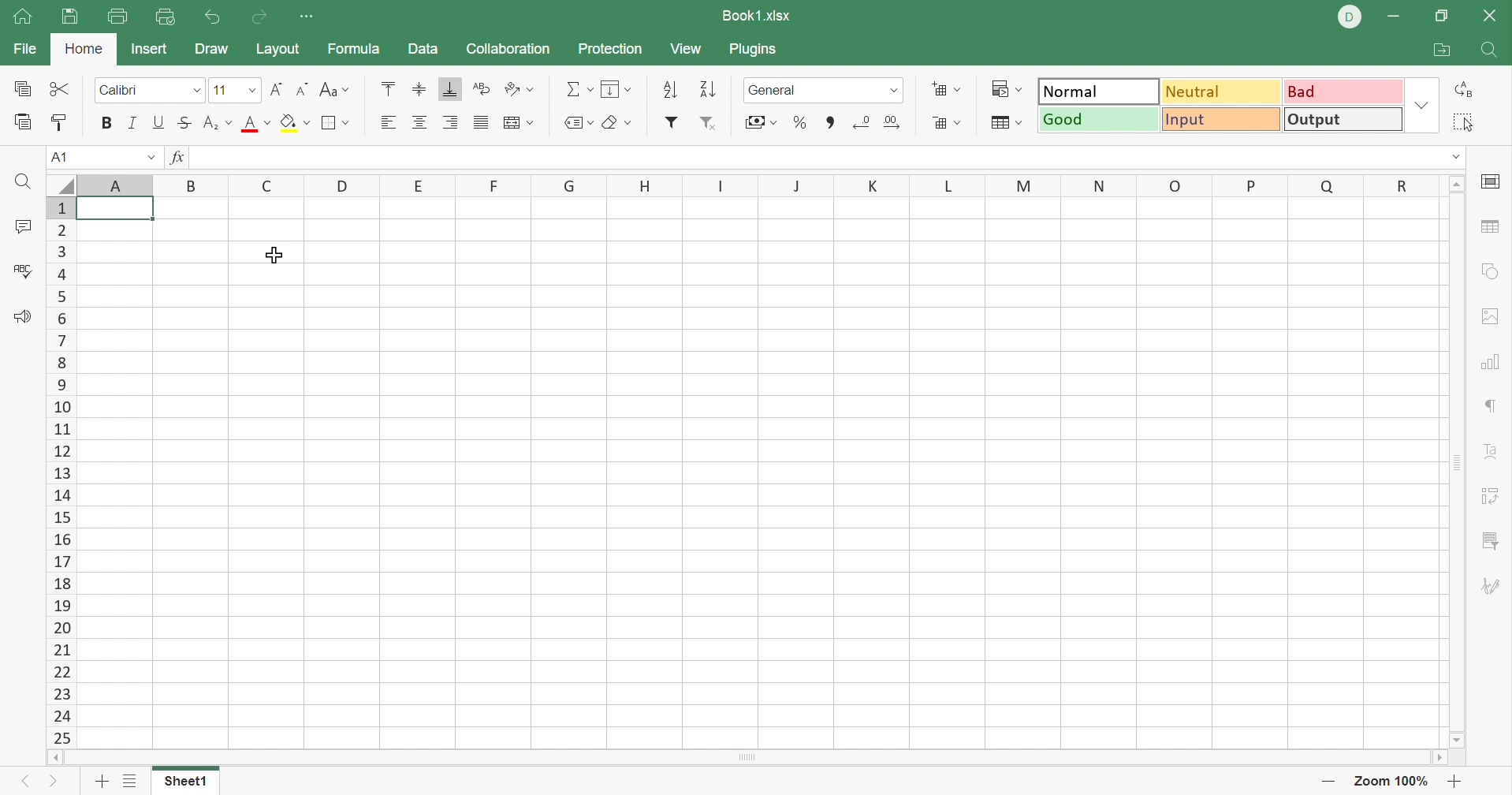 The image size is (1512, 795). Describe the element at coordinates (59, 472) in the screenshot. I see `Row numbers` at that location.